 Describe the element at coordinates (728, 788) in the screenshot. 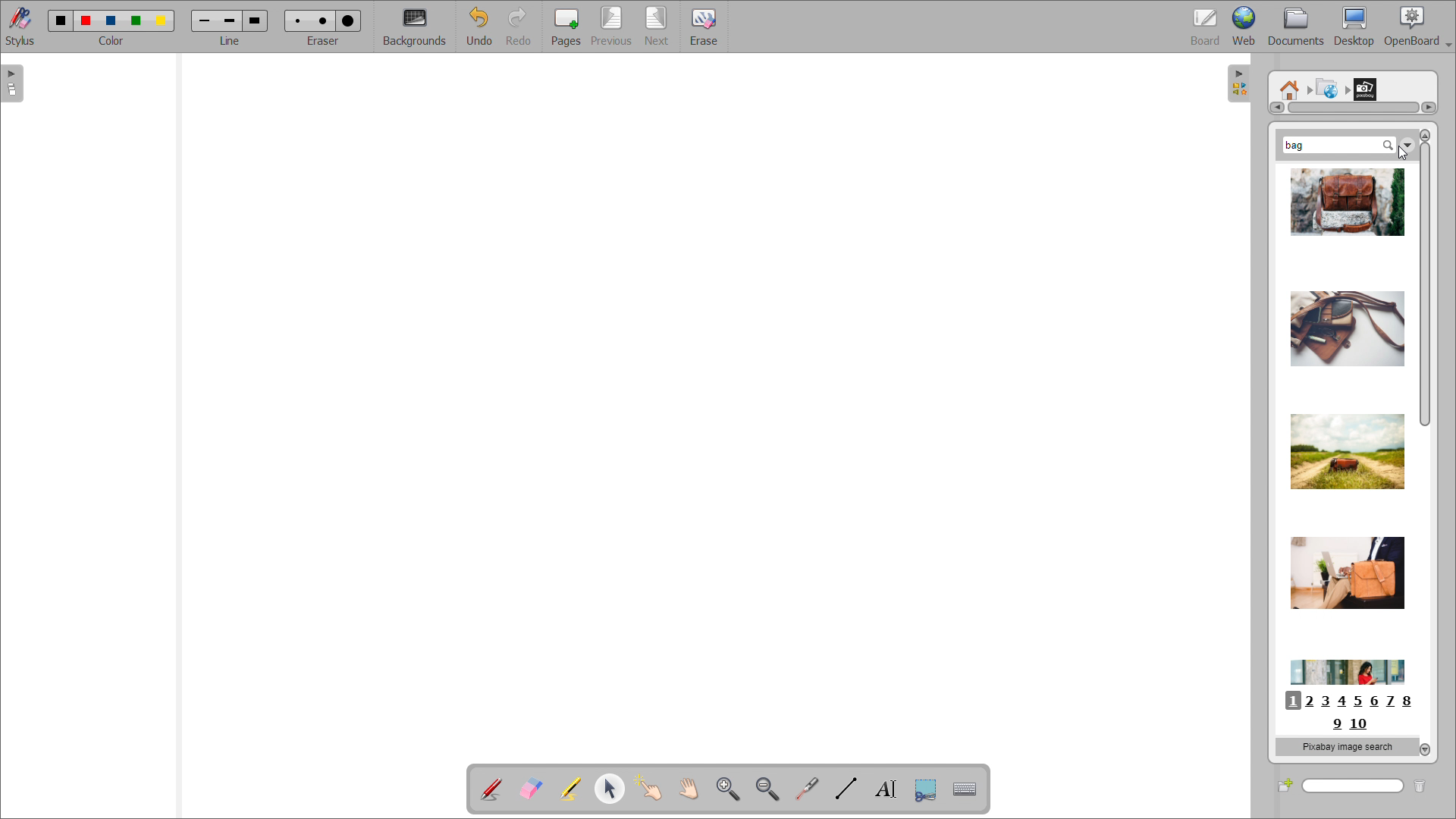

I see `zoom in` at that location.